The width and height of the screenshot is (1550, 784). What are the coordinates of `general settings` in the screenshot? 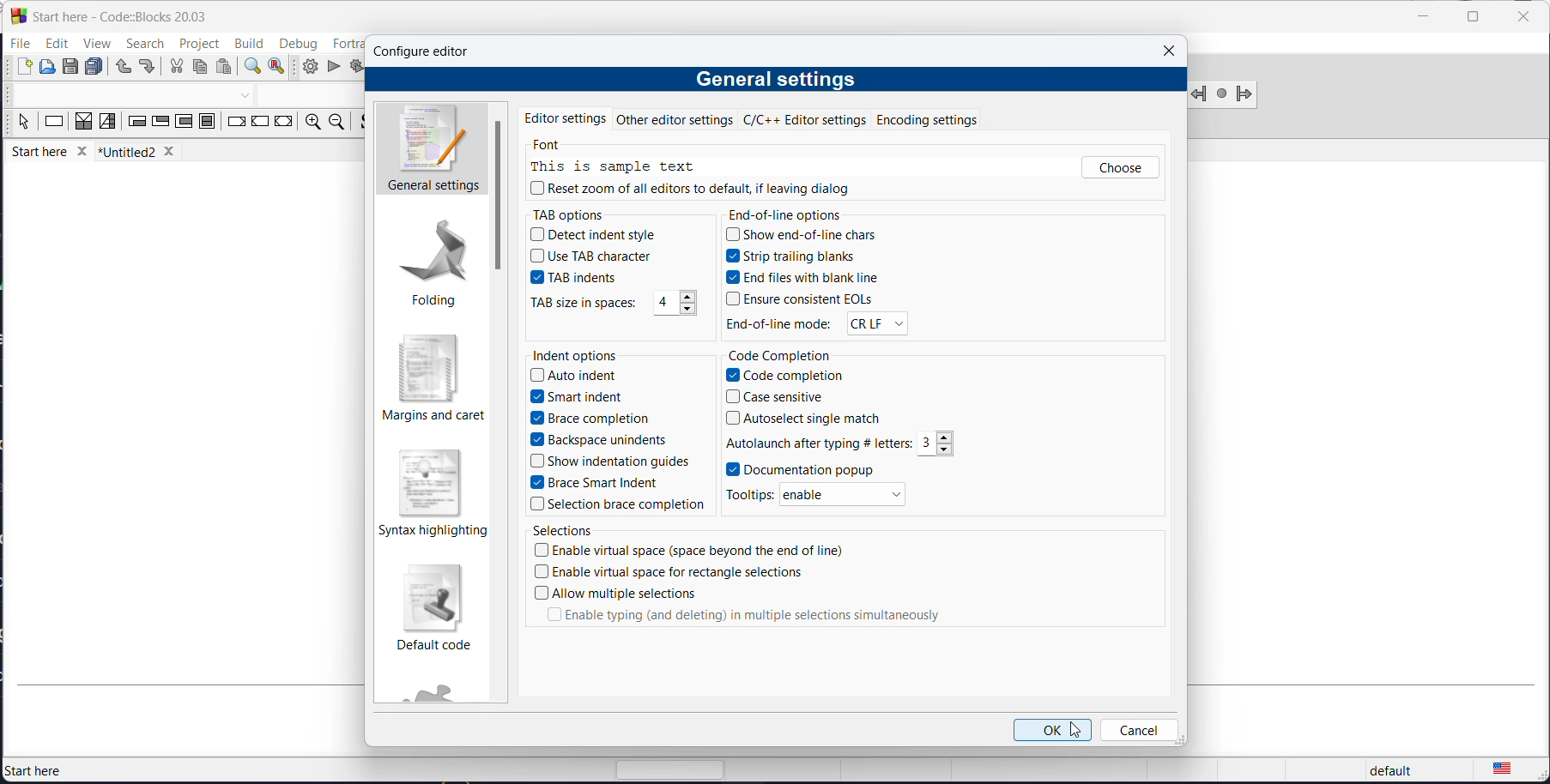 It's located at (429, 150).